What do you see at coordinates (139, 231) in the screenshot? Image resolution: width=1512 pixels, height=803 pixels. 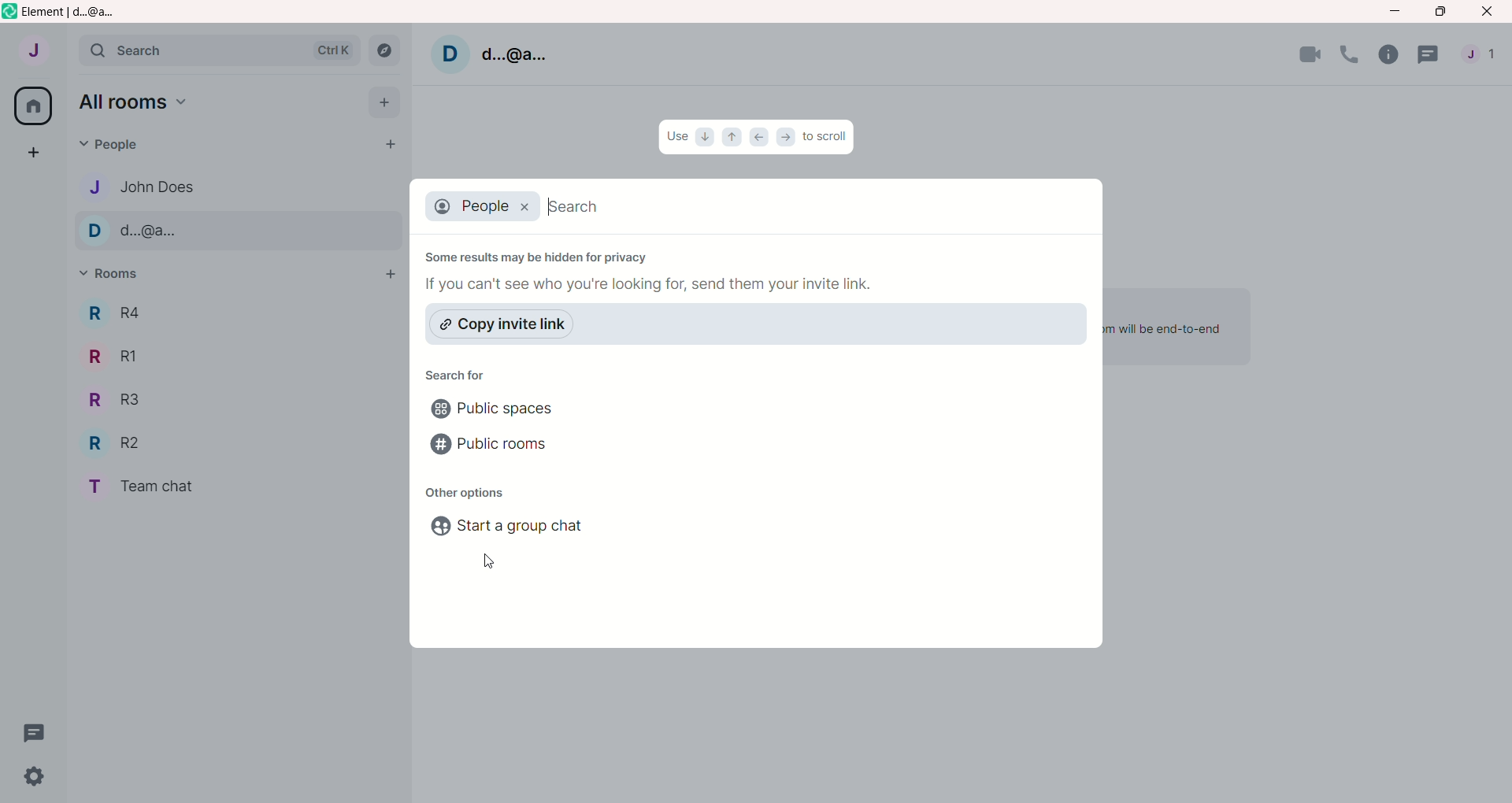 I see `d..@a..` at bounding box center [139, 231].